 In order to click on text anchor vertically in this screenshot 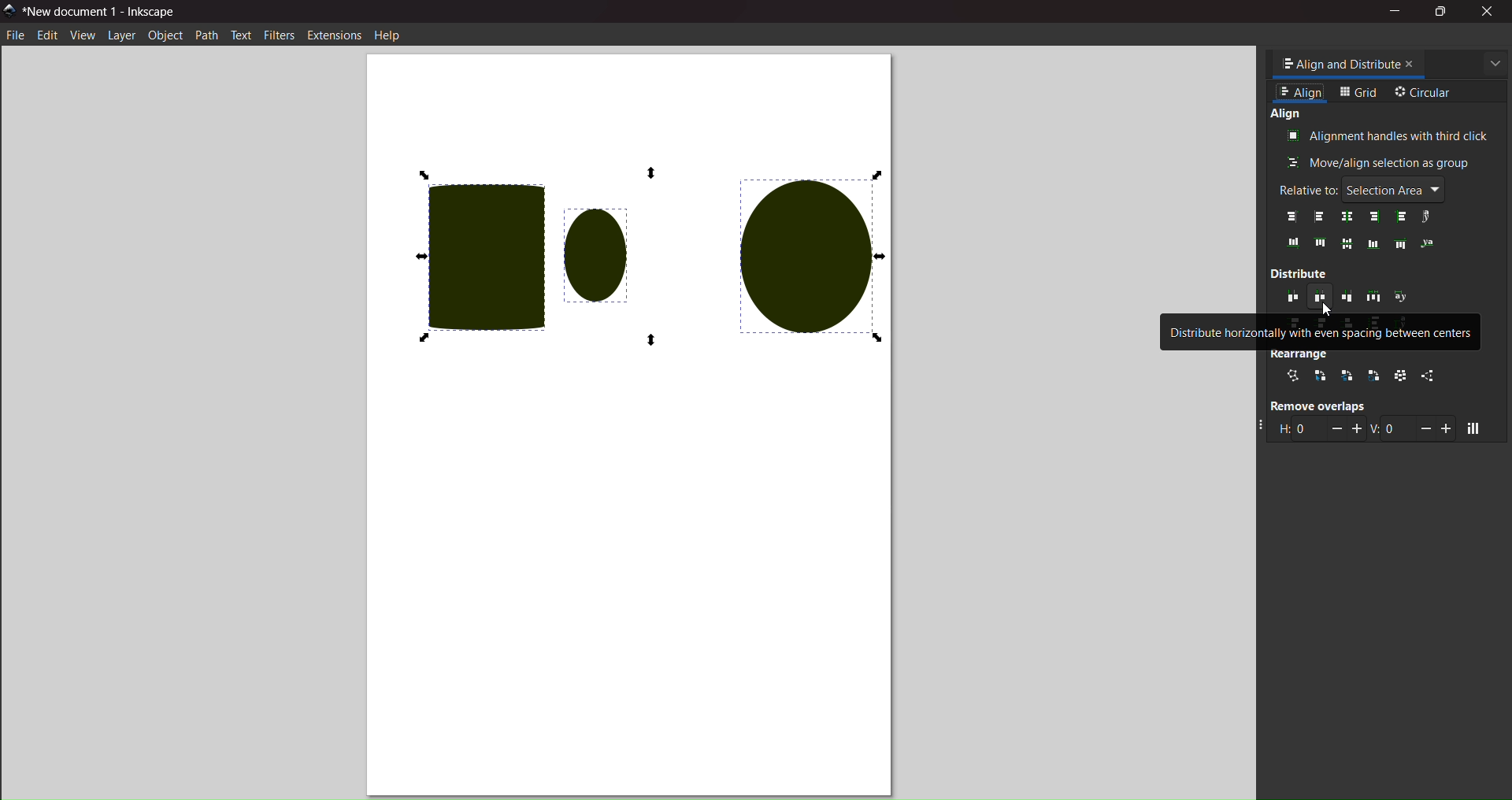, I will do `click(1428, 245)`.